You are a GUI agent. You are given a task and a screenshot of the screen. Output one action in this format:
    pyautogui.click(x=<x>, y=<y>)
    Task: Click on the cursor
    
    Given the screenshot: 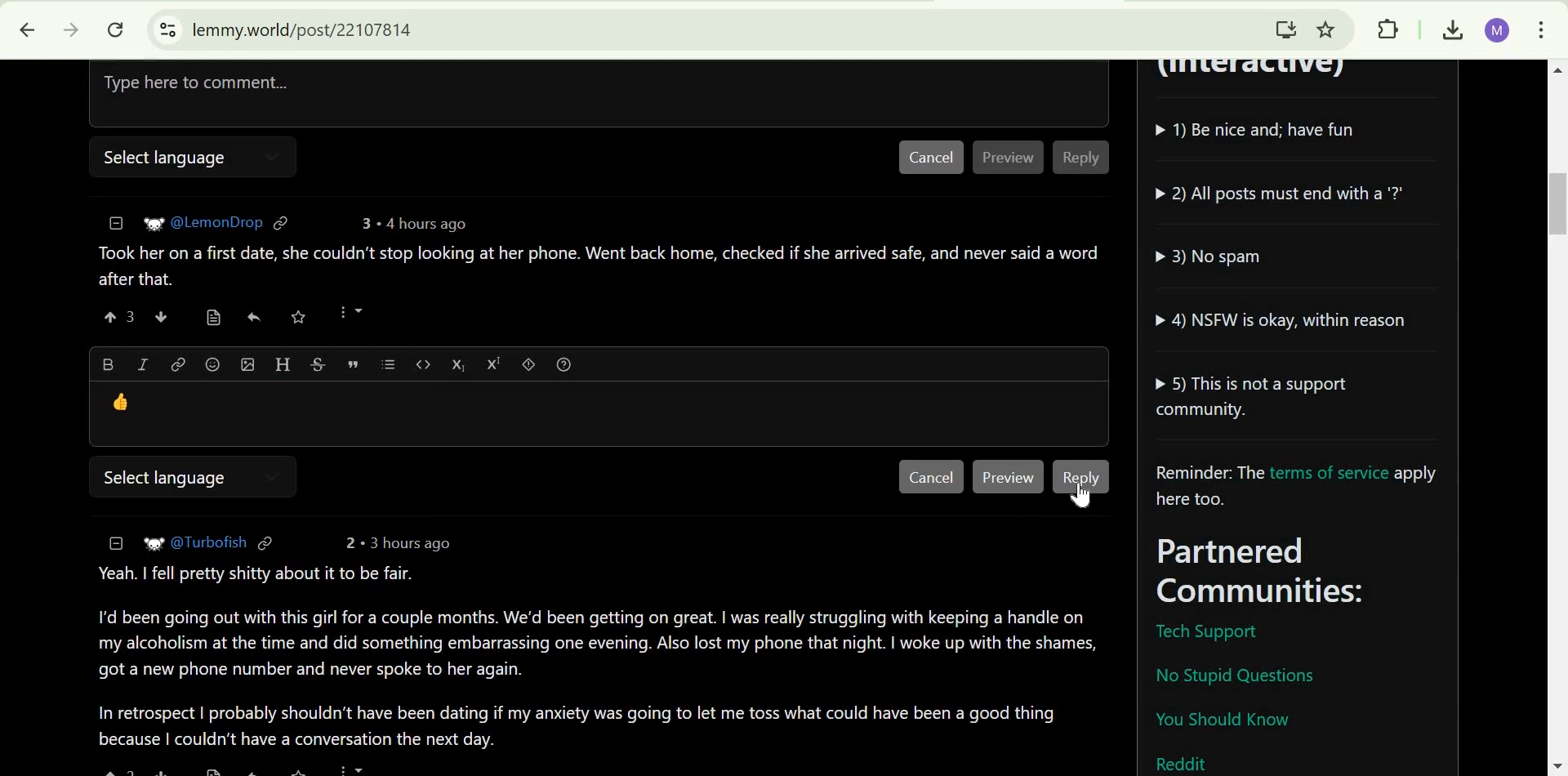 What is the action you would take?
    pyautogui.click(x=1080, y=497)
    